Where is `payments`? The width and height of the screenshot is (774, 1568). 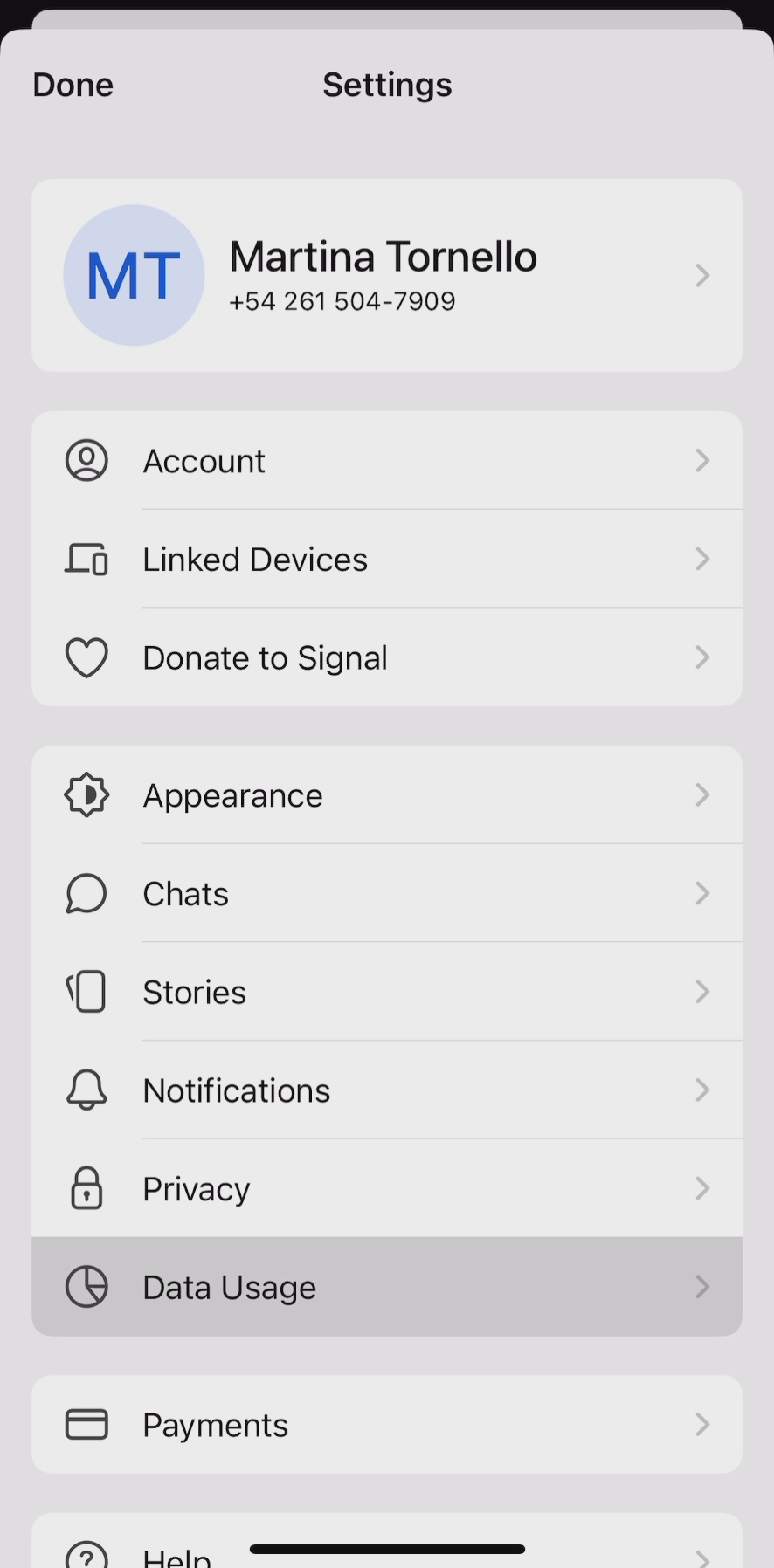 payments is located at coordinates (387, 1424).